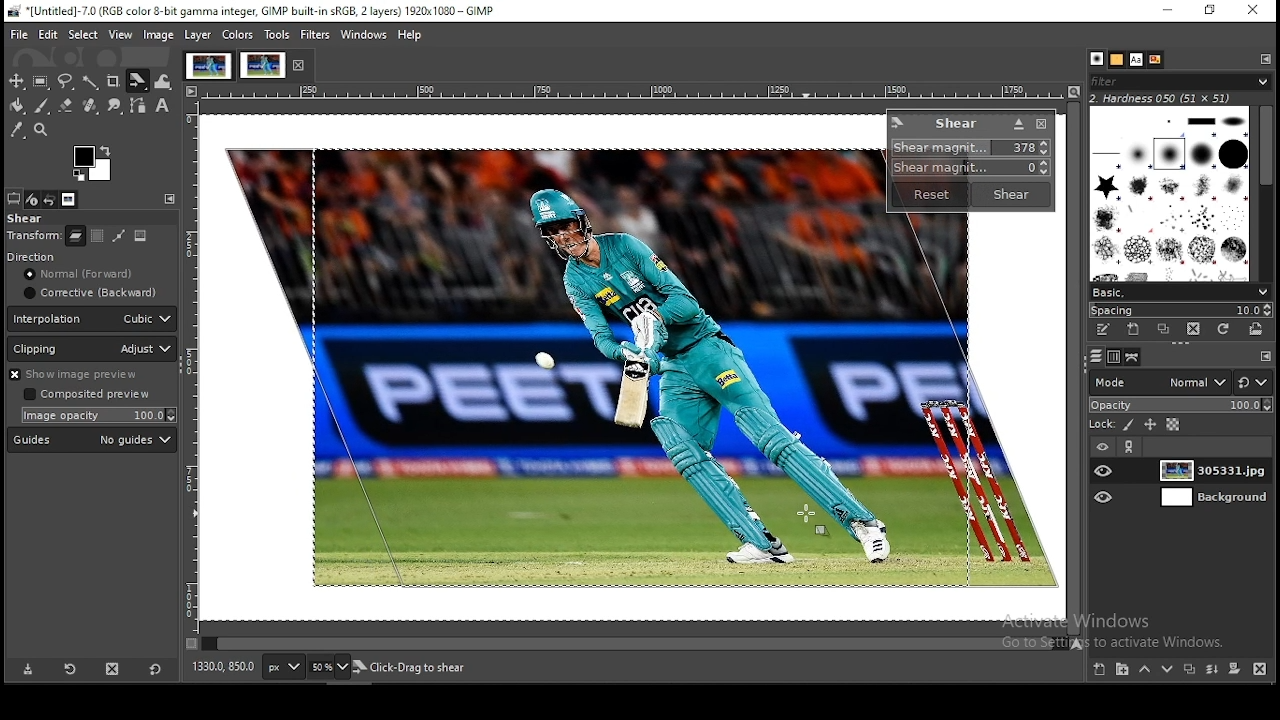 The height and width of the screenshot is (720, 1280). Describe the element at coordinates (1210, 471) in the screenshot. I see `layer` at that location.